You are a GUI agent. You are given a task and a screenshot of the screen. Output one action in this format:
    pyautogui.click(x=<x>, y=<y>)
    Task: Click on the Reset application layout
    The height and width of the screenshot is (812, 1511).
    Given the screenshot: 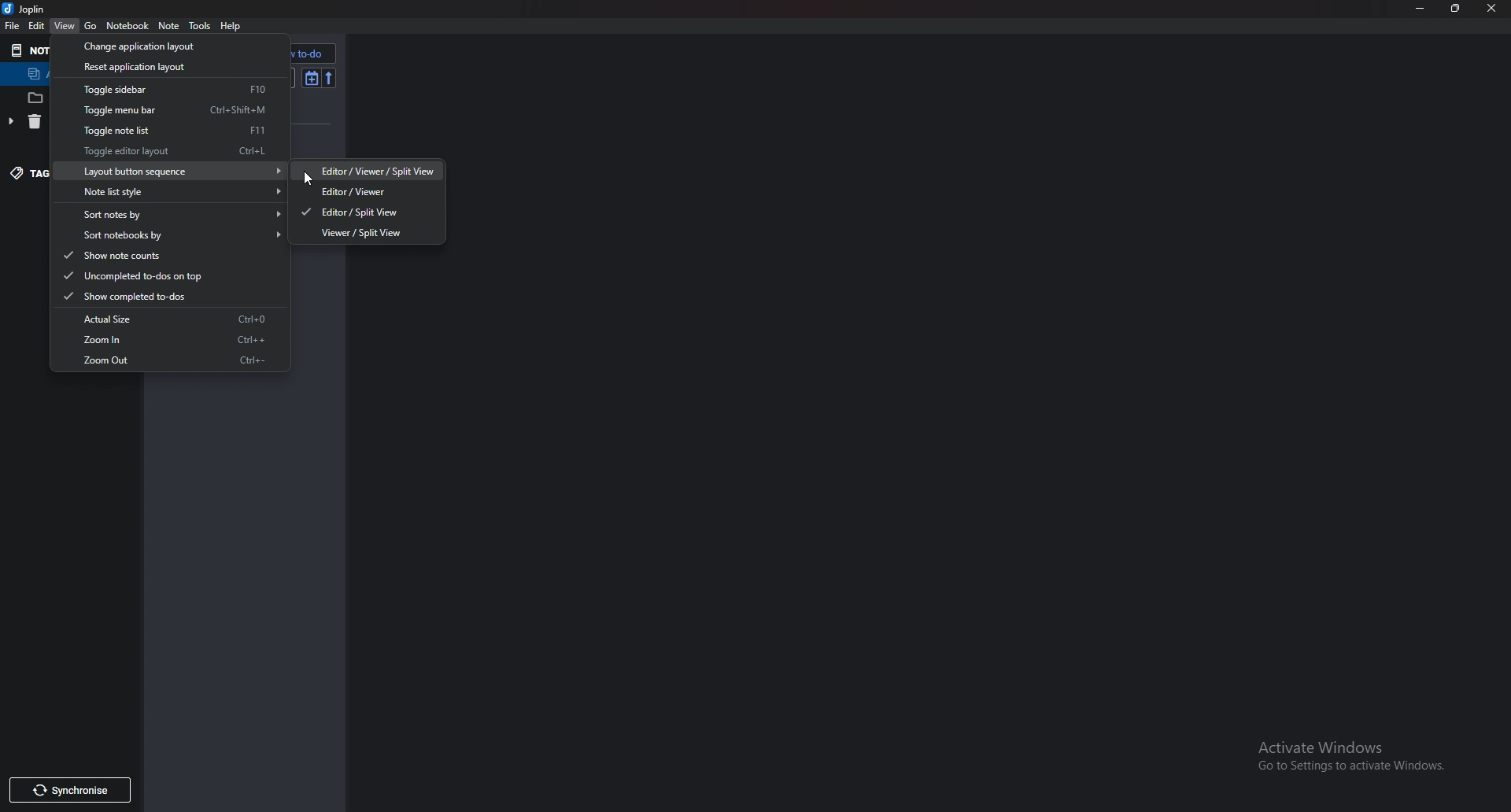 What is the action you would take?
    pyautogui.click(x=166, y=67)
    